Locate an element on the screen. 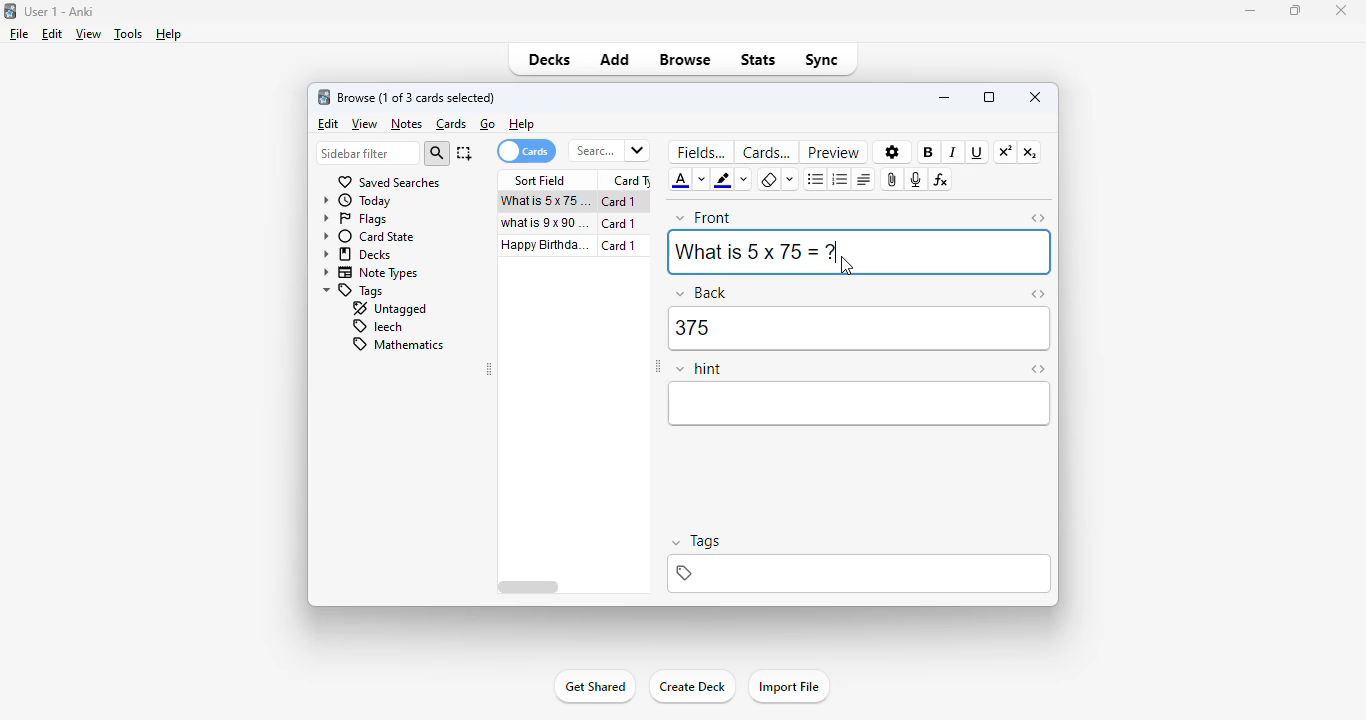 The height and width of the screenshot is (720, 1366). options is located at coordinates (890, 151).